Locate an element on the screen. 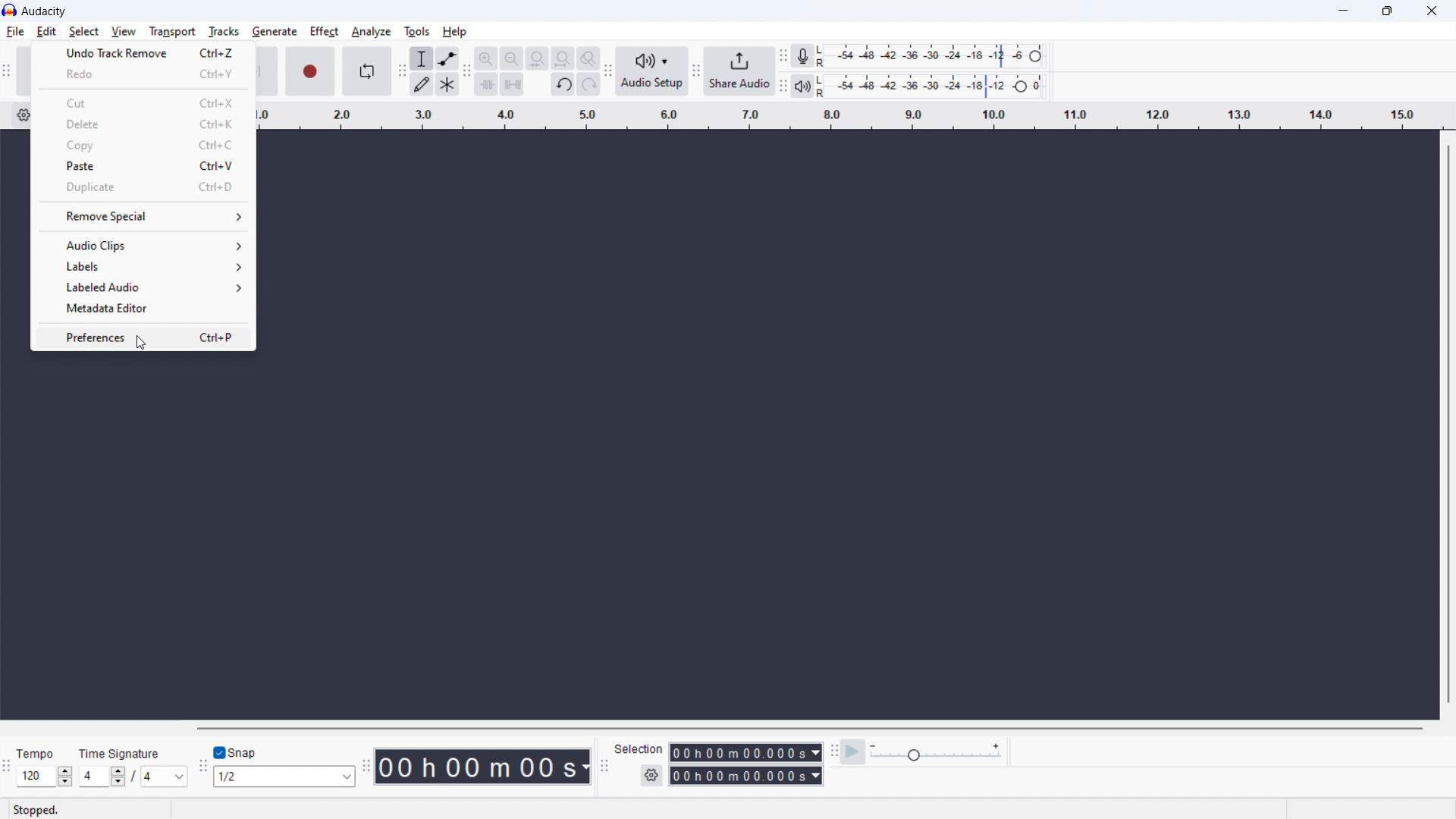 The width and height of the screenshot is (1456, 819). maximize is located at coordinates (1385, 11).